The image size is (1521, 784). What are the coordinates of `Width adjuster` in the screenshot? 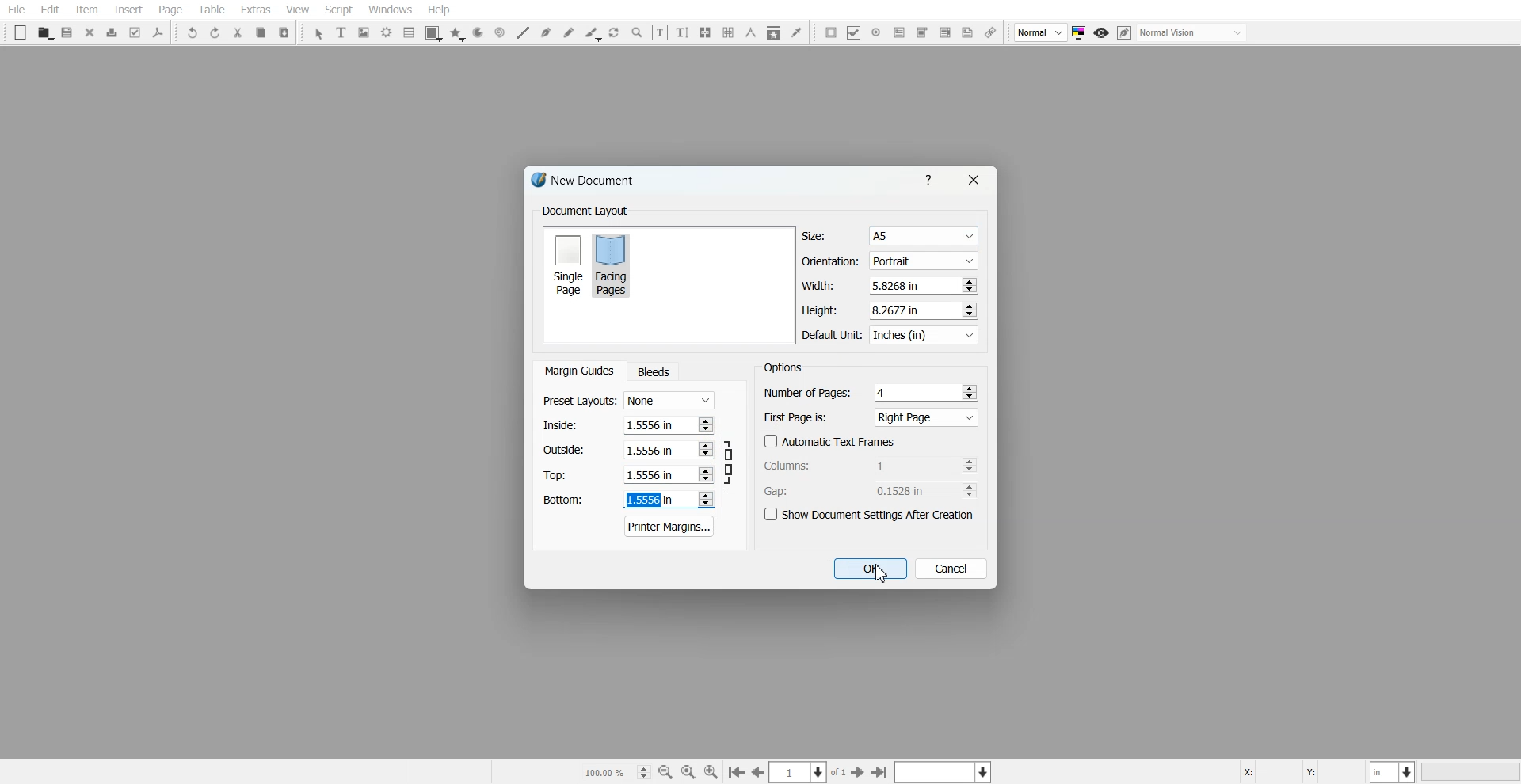 It's located at (889, 286).